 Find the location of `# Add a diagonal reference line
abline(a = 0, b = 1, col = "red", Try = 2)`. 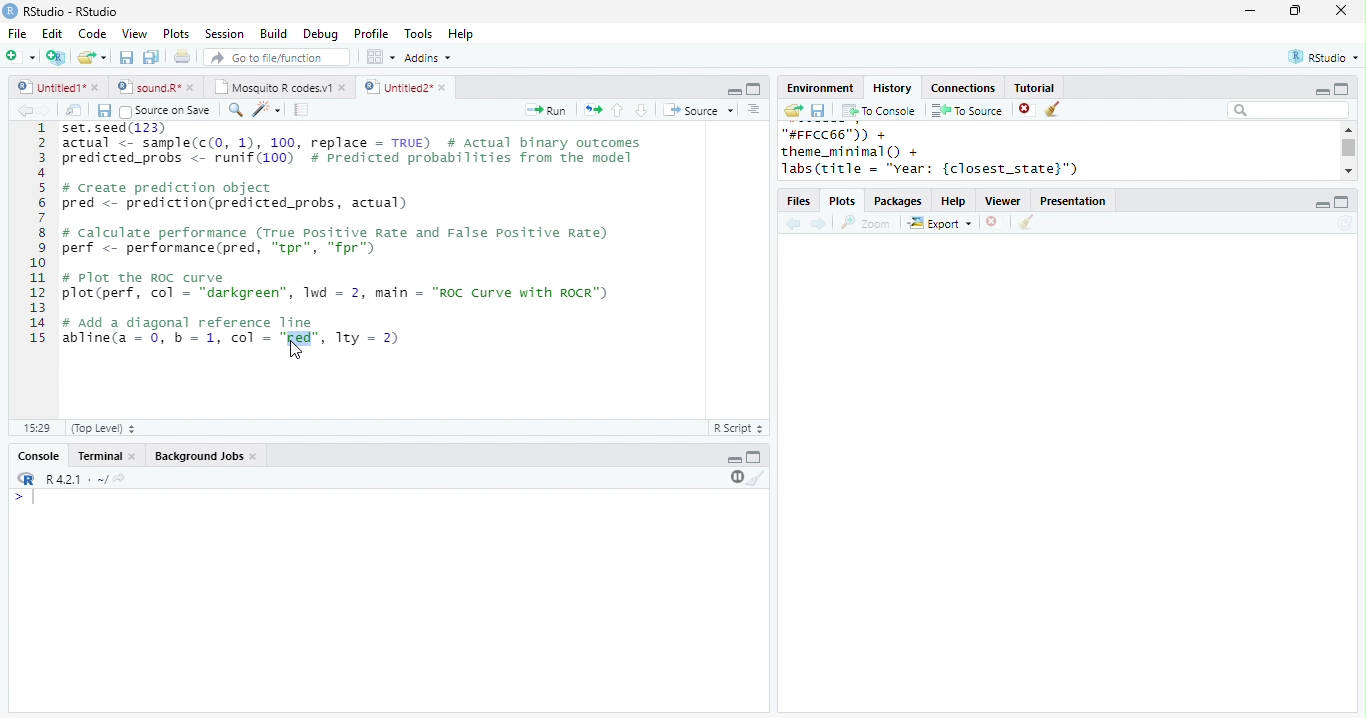

# Add a diagonal reference line
abline(a = 0, b = 1, col = "red", Try = 2) is located at coordinates (234, 330).